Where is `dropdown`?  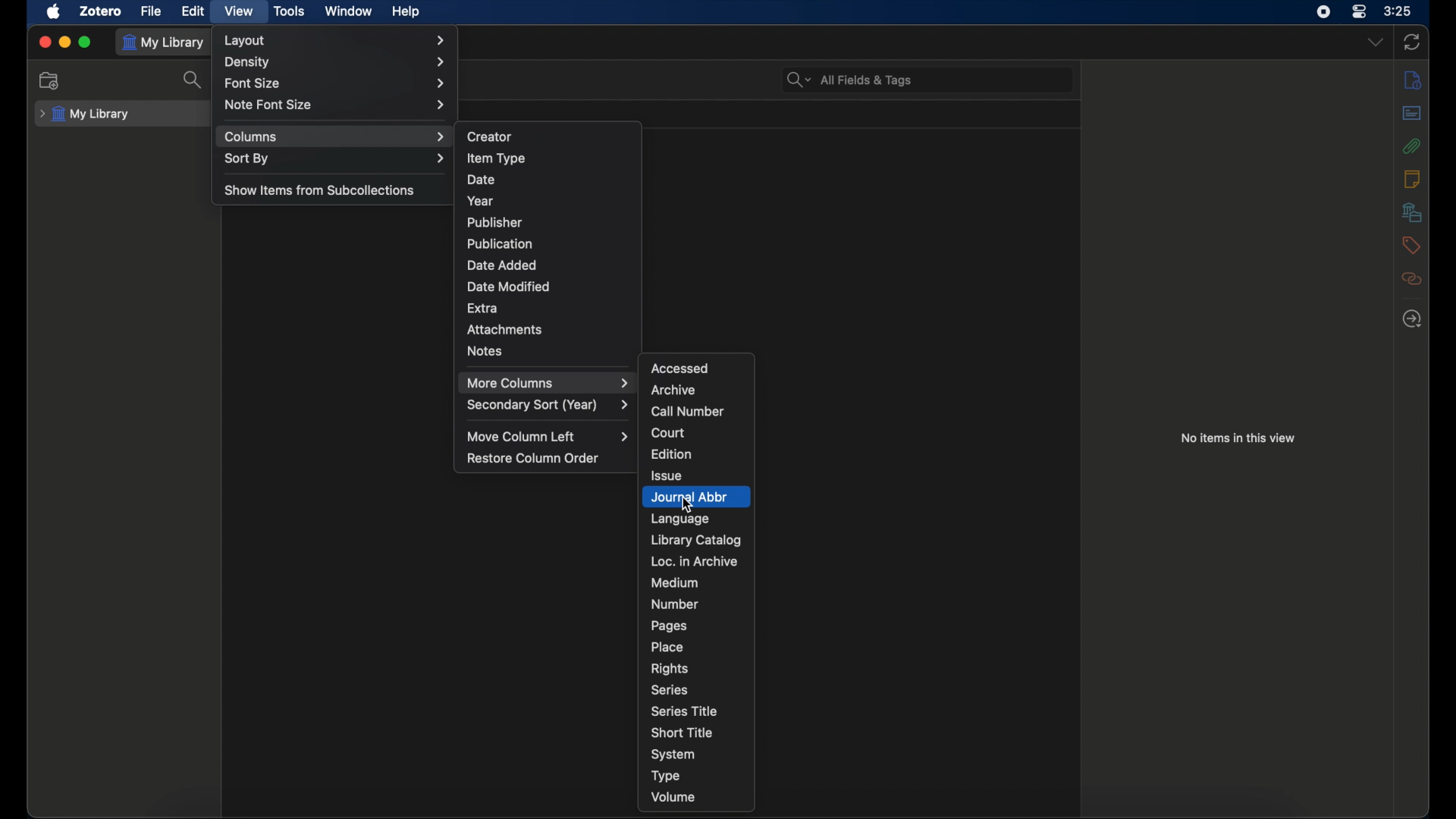
dropdown is located at coordinates (1374, 42).